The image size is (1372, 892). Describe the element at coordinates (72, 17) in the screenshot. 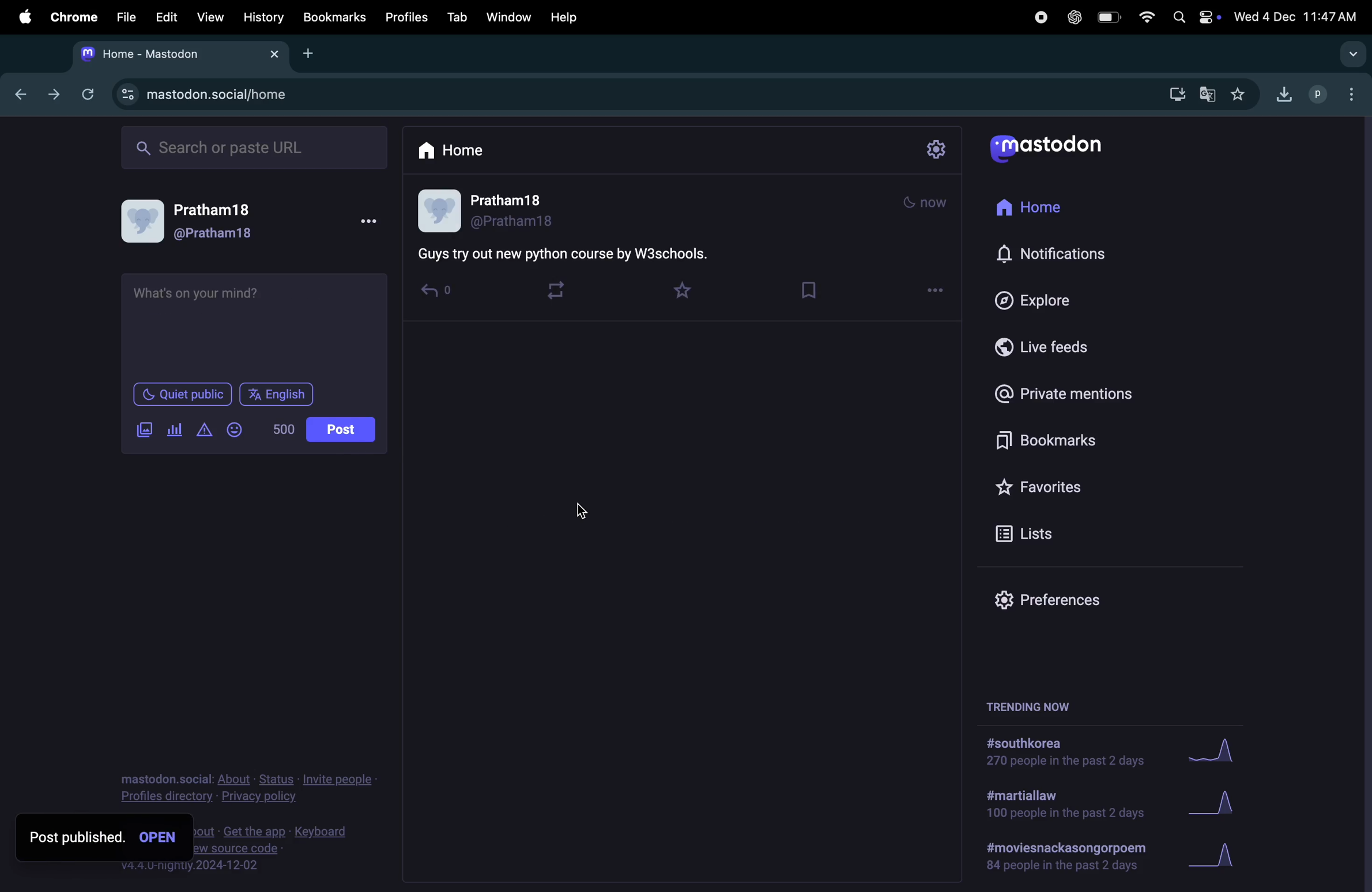

I see `Chrome` at that location.